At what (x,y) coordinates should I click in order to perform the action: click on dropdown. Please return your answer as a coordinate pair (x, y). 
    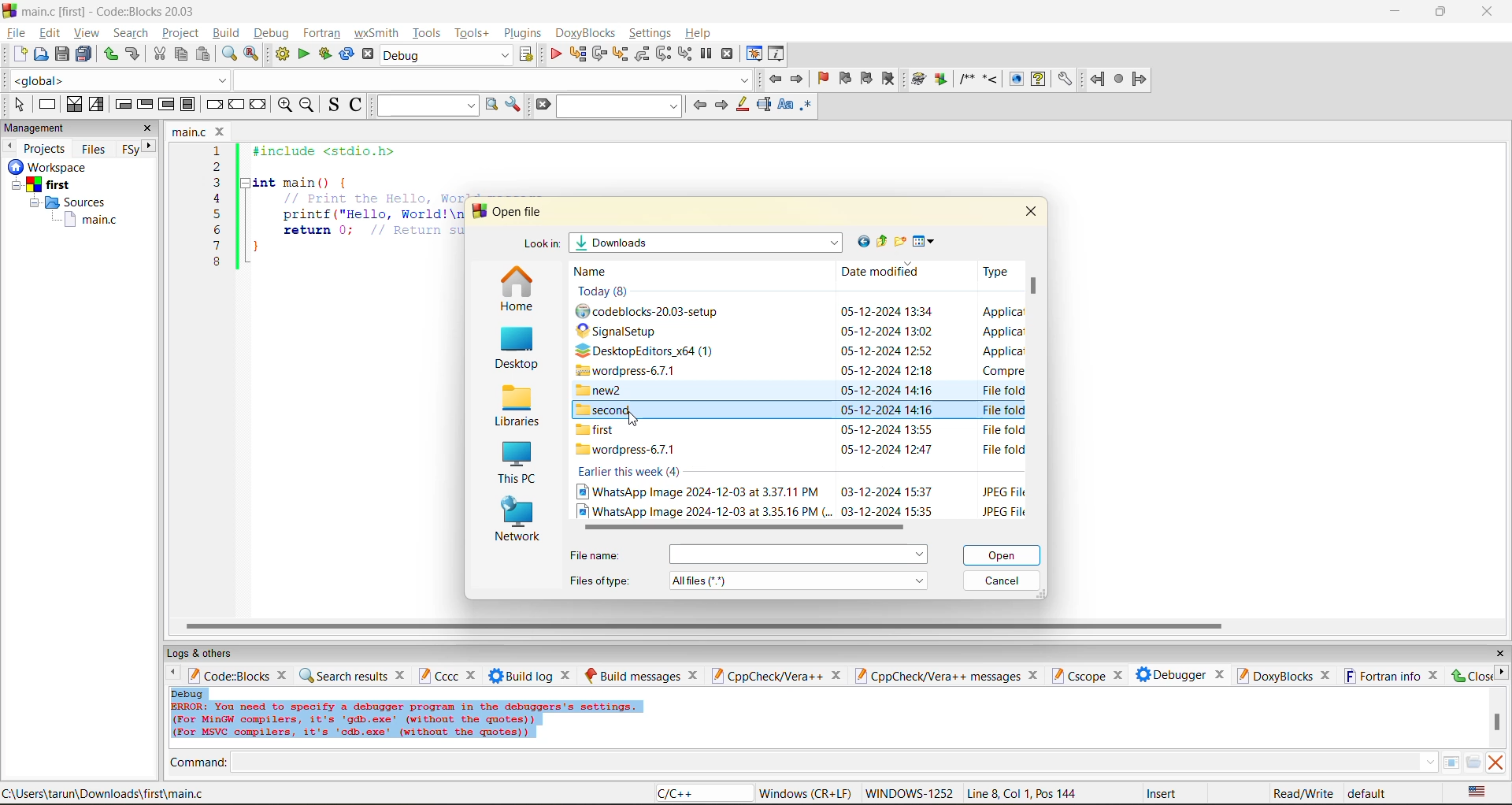
    Looking at the image, I should click on (491, 80).